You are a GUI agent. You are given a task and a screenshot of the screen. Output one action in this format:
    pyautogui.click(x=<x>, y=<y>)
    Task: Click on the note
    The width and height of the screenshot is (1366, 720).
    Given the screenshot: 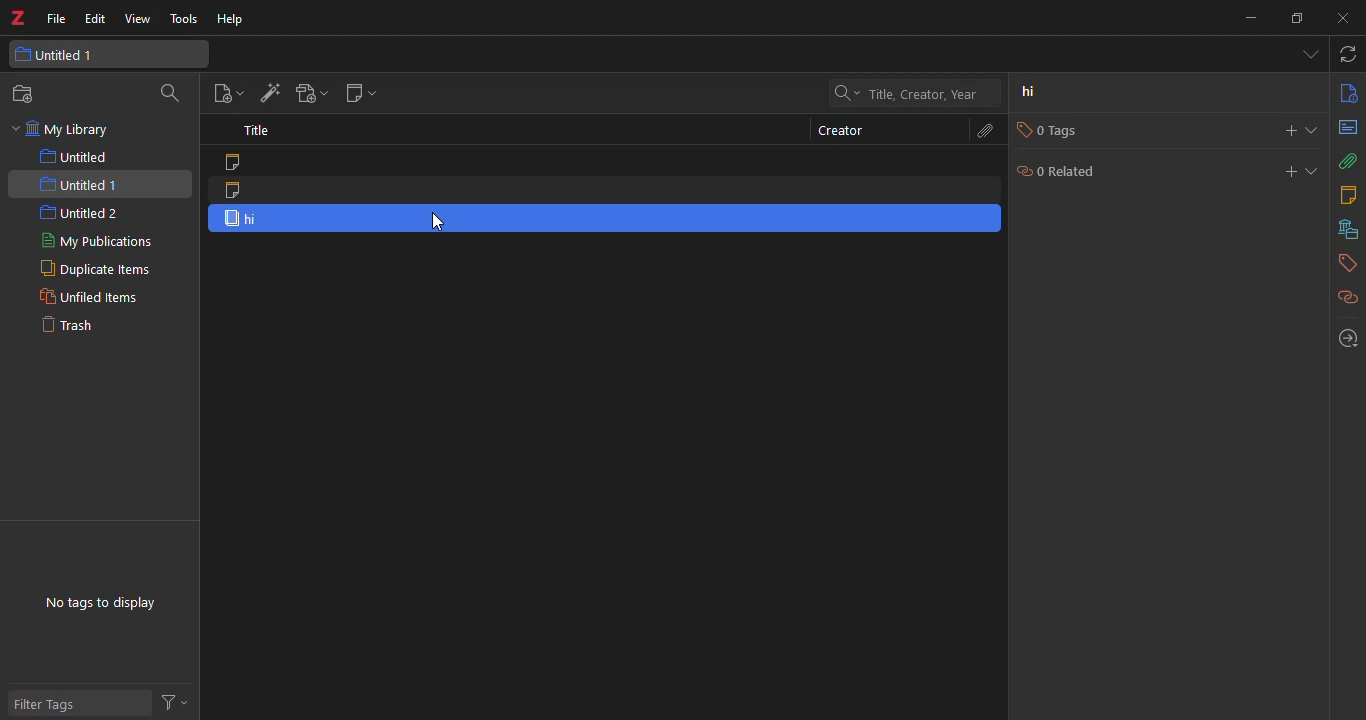 What is the action you would take?
    pyautogui.click(x=238, y=161)
    